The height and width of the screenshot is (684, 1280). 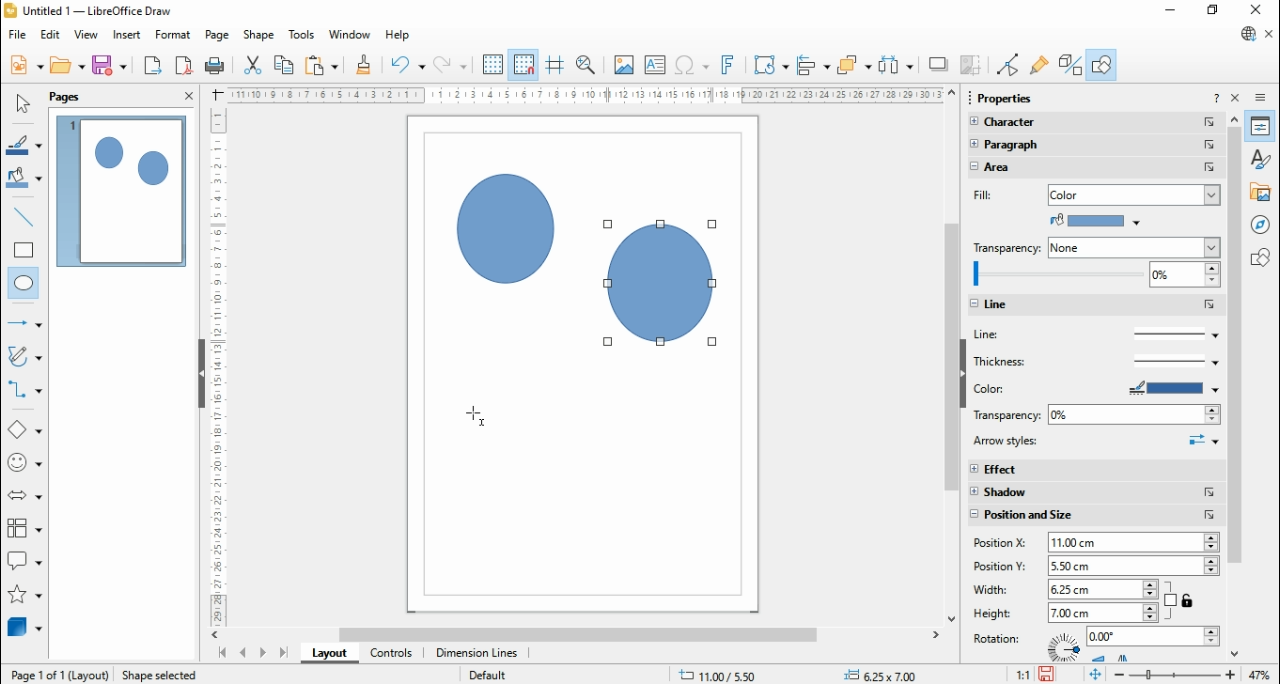 What do you see at coordinates (993, 613) in the screenshot?
I see `height` at bounding box center [993, 613].